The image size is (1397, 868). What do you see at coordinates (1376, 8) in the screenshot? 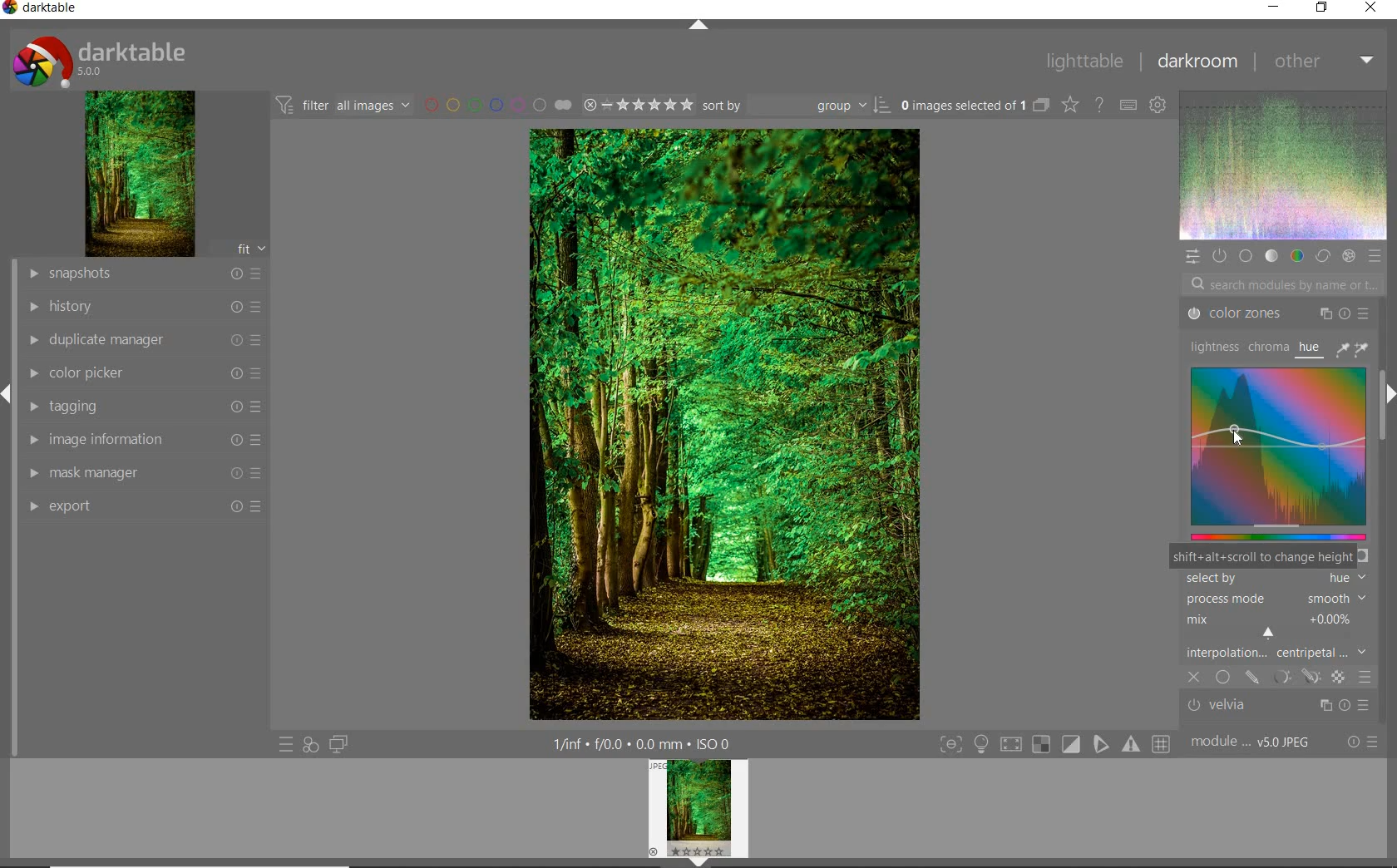
I see `CLOSE` at bounding box center [1376, 8].